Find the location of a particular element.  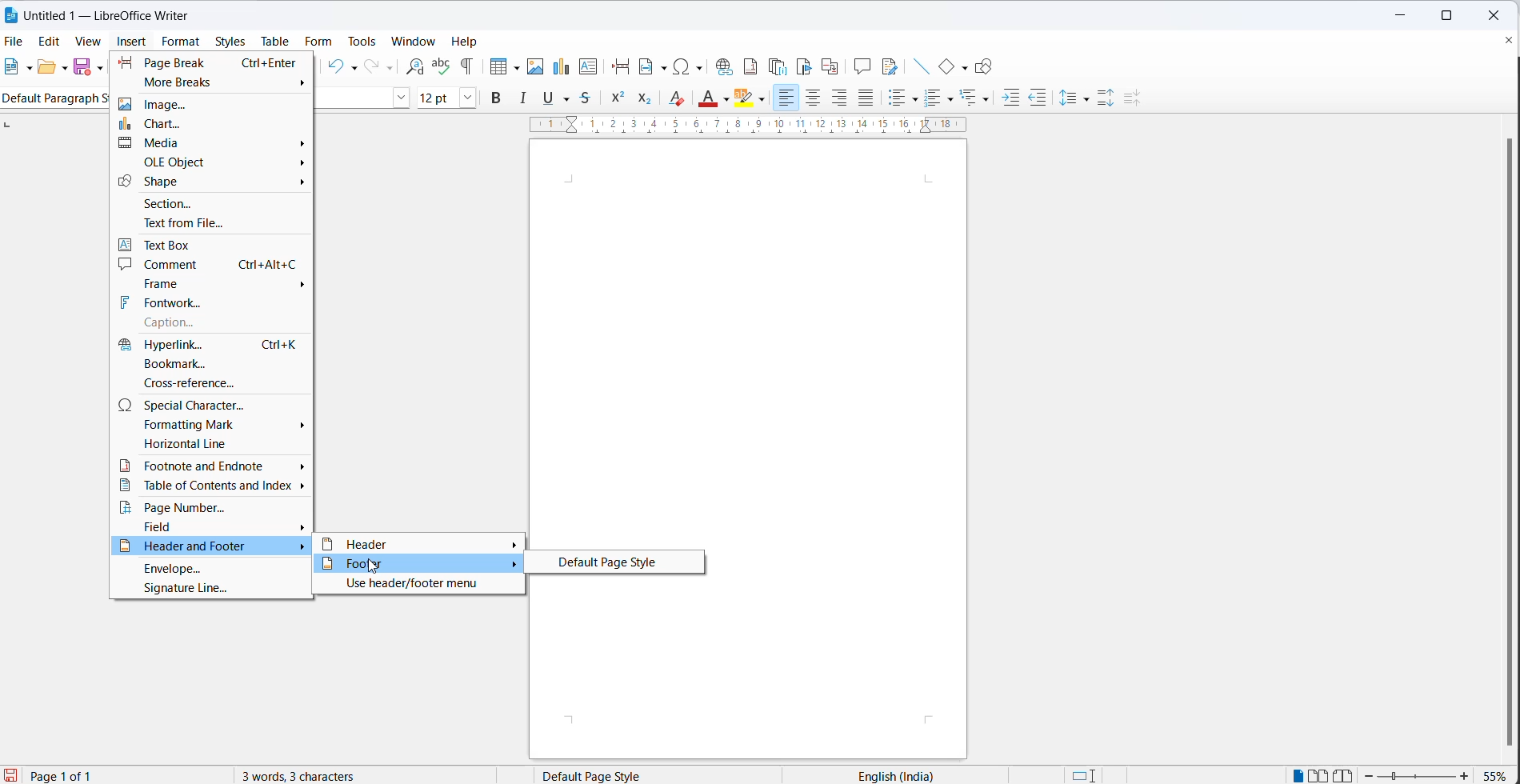

form is located at coordinates (318, 42).